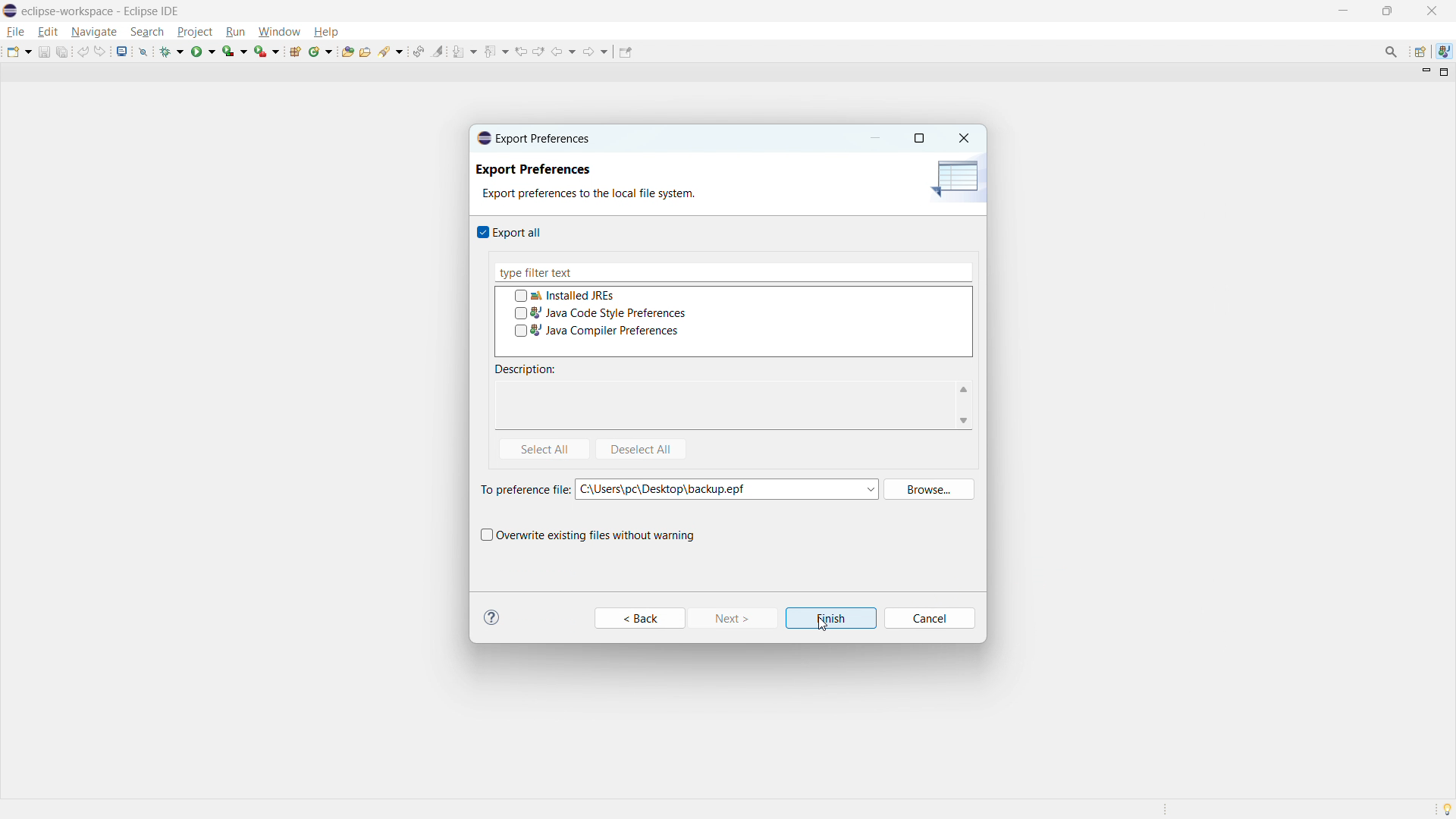  Describe the element at coordinates (234, 51) in the screenshot. I see `coverage` at that location.